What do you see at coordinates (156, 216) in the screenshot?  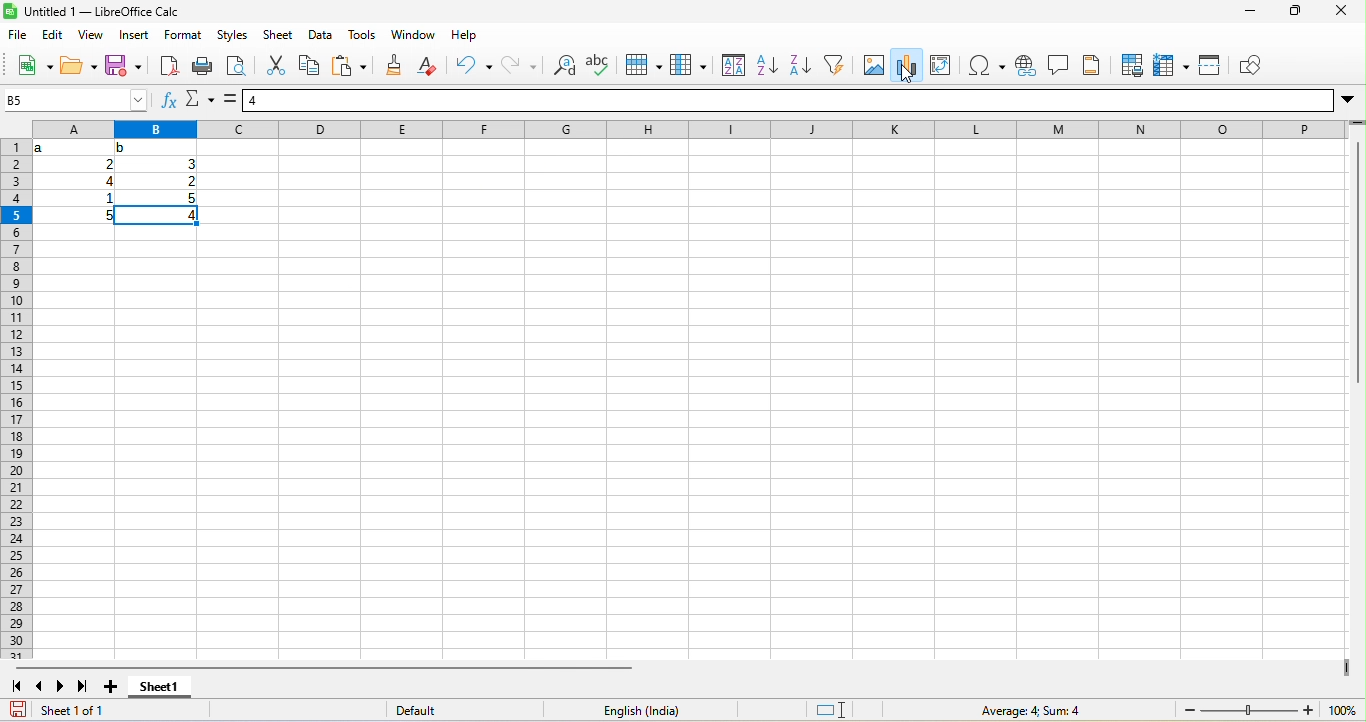 I see `4` at bounding box center [156, 216].